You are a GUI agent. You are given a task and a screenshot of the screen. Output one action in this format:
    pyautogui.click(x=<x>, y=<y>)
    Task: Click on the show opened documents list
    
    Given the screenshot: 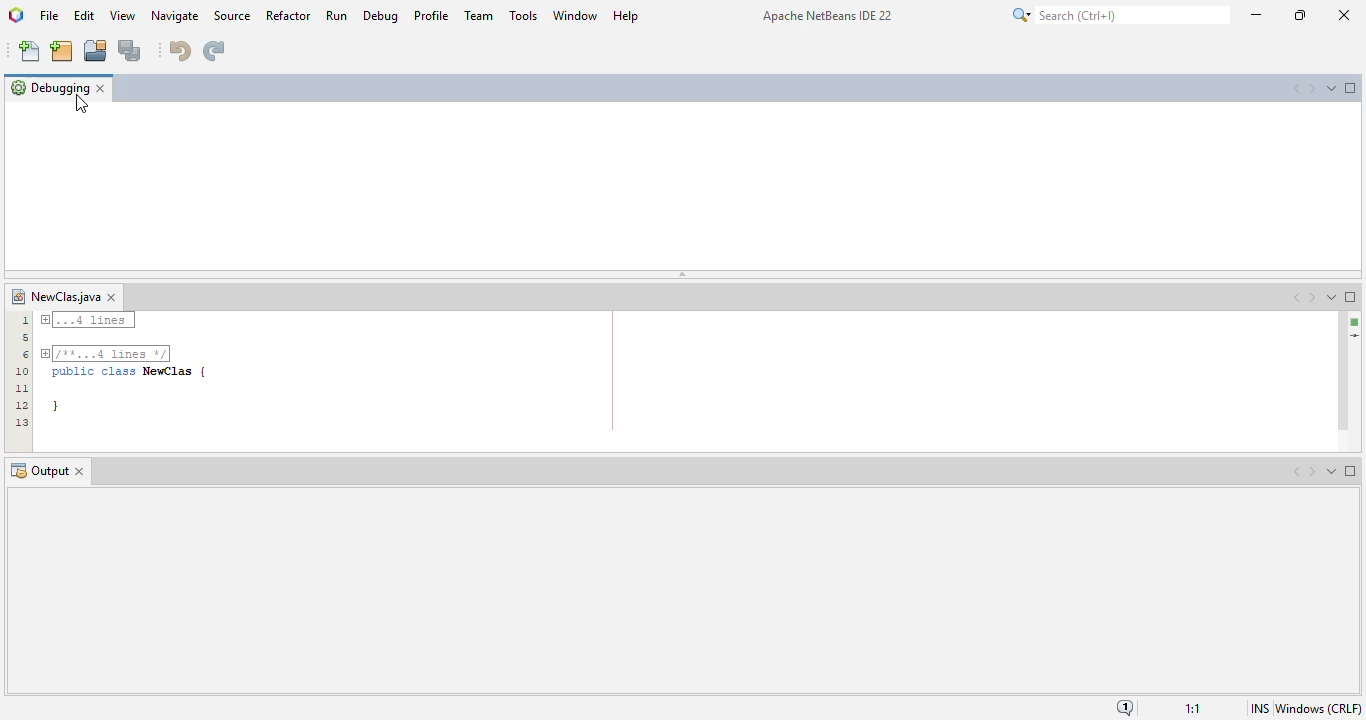 What is the action you would take?
    pyautogui.click(x=1332, y=471)
    